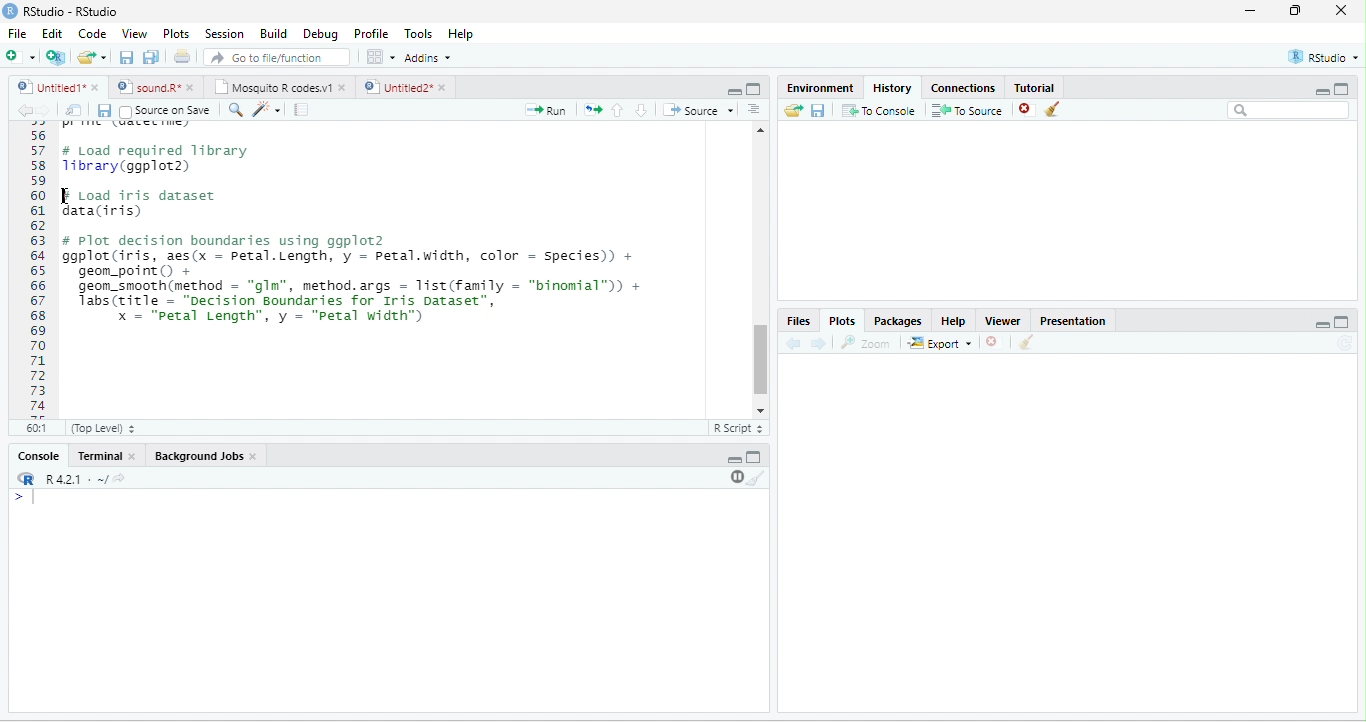  What do you see at coordinates (821, 87) in the screenshot?
I see `Environment` at bounding box center [821, 87].